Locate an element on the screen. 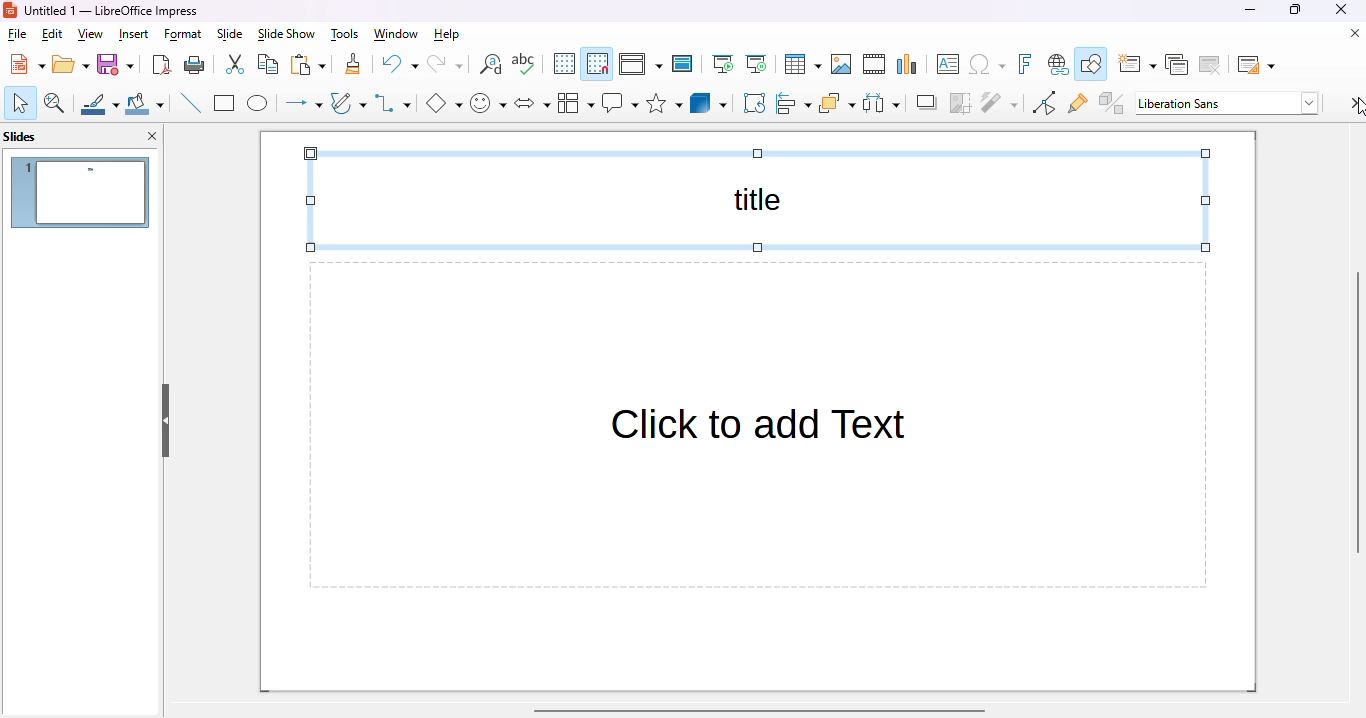 This screenshot has width=1366, height=718. vertical scroll bar is located at coordinates (1357, 412).